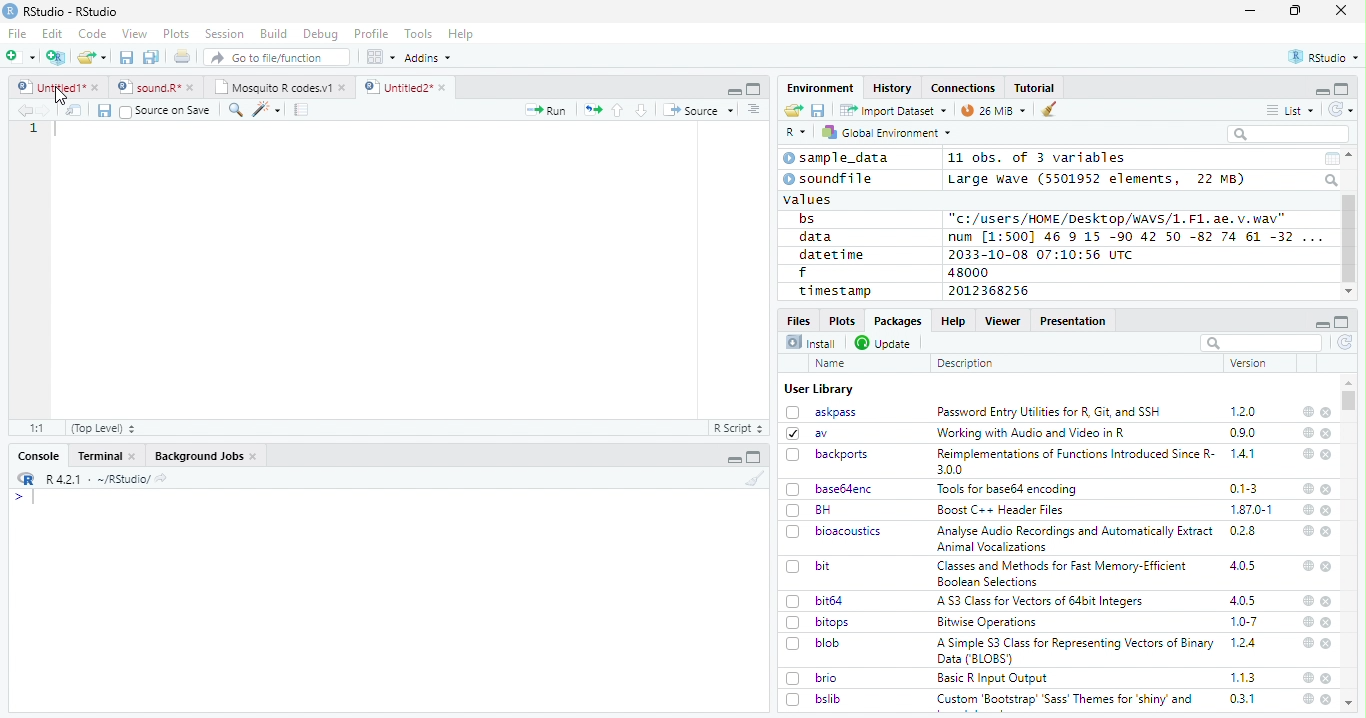  What do you see at coordinates (1328, 602) in the screenshot?
I see `close` at bounding box center [1328, 602].